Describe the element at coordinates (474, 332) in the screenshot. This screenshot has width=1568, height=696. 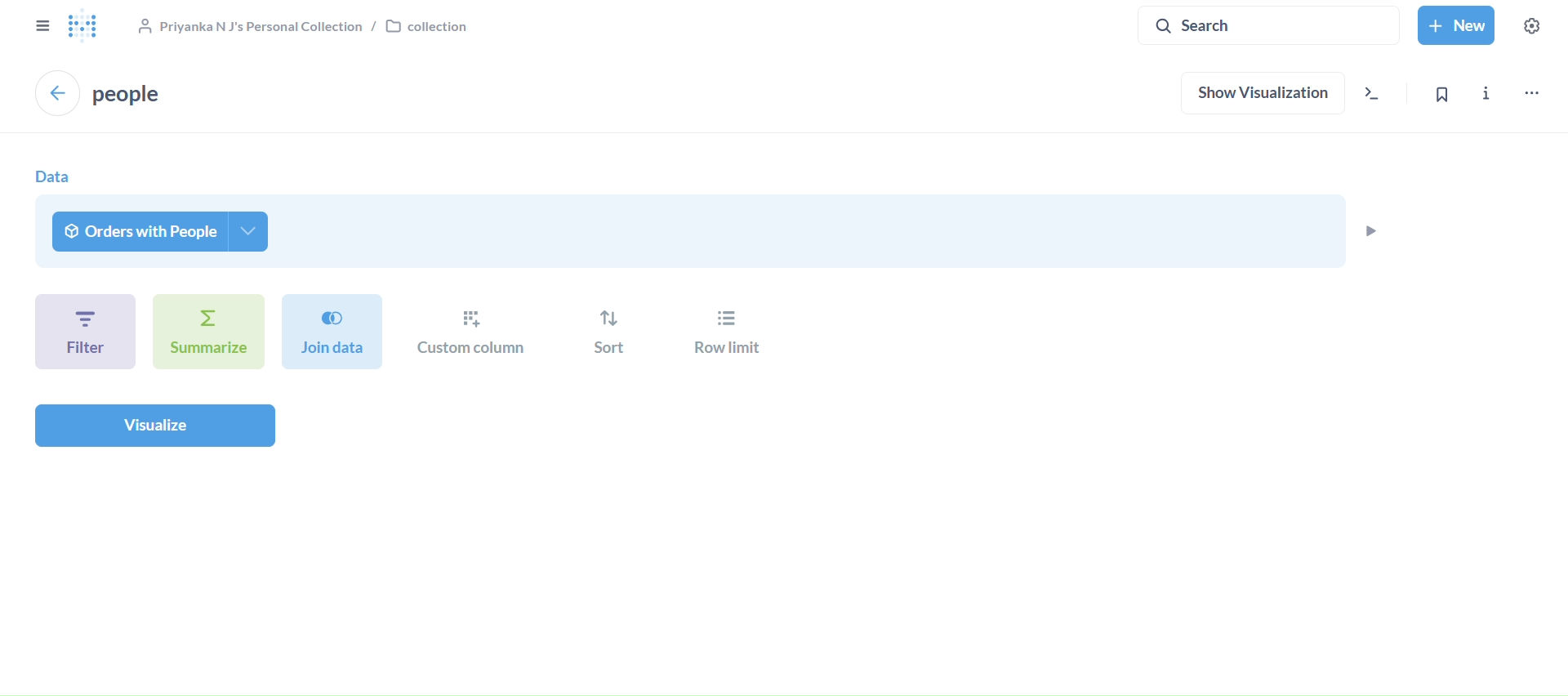
I see `custom column` at that location.